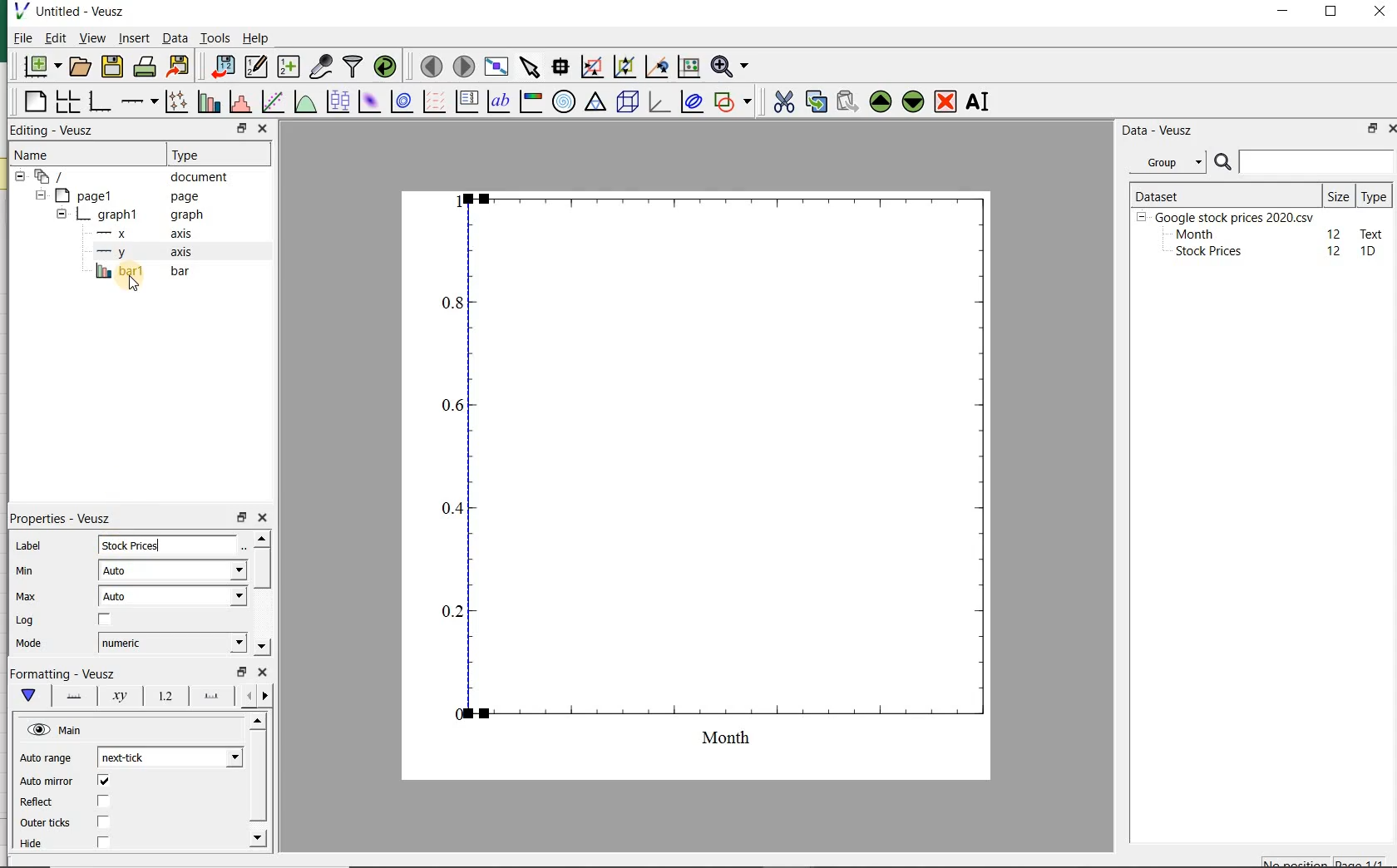  Describe the element at coordinates (129, 177) in the screenshot. I see `document` at that location.